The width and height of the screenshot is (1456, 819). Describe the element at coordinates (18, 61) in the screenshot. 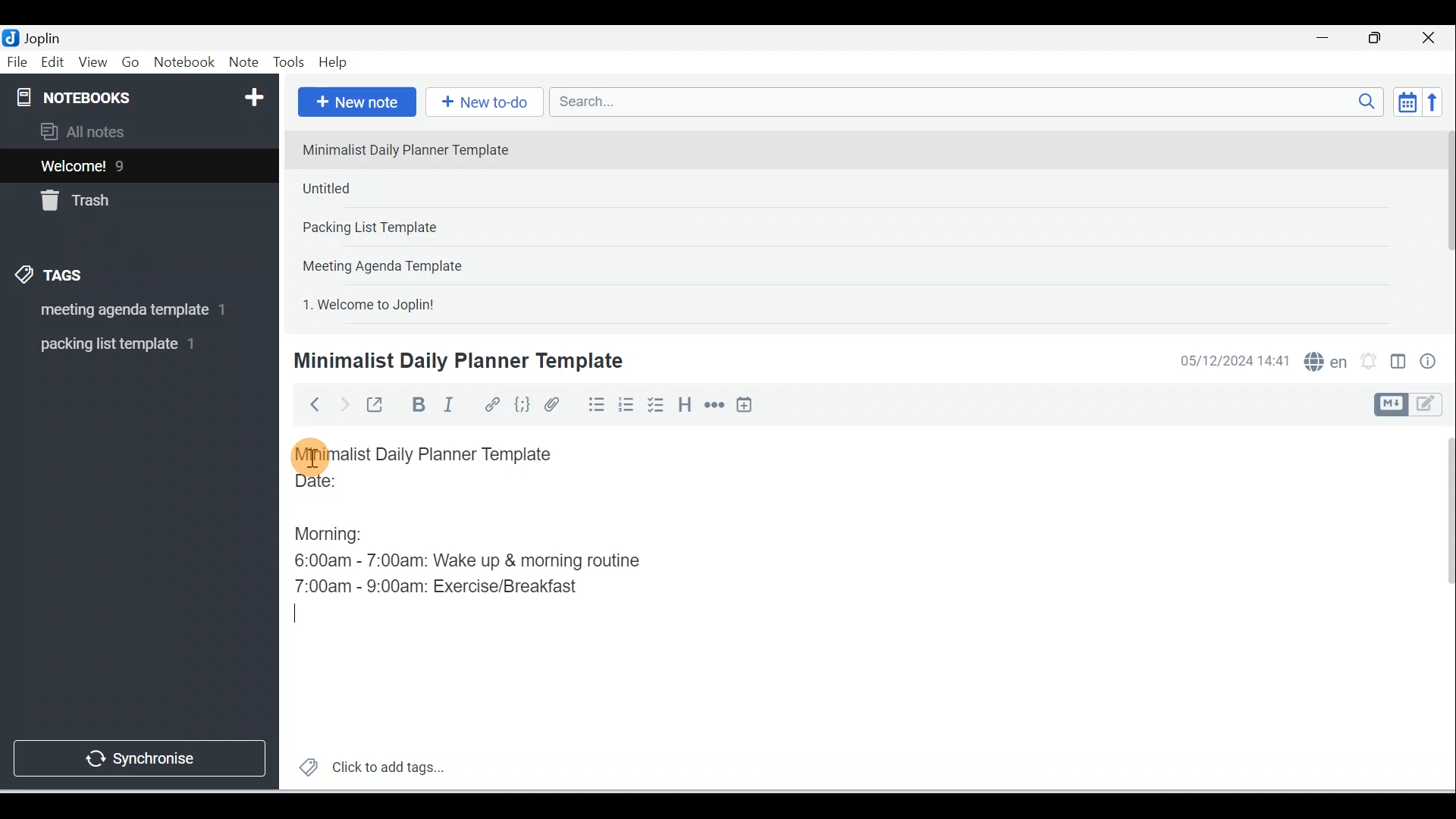

I see `File` at that location.